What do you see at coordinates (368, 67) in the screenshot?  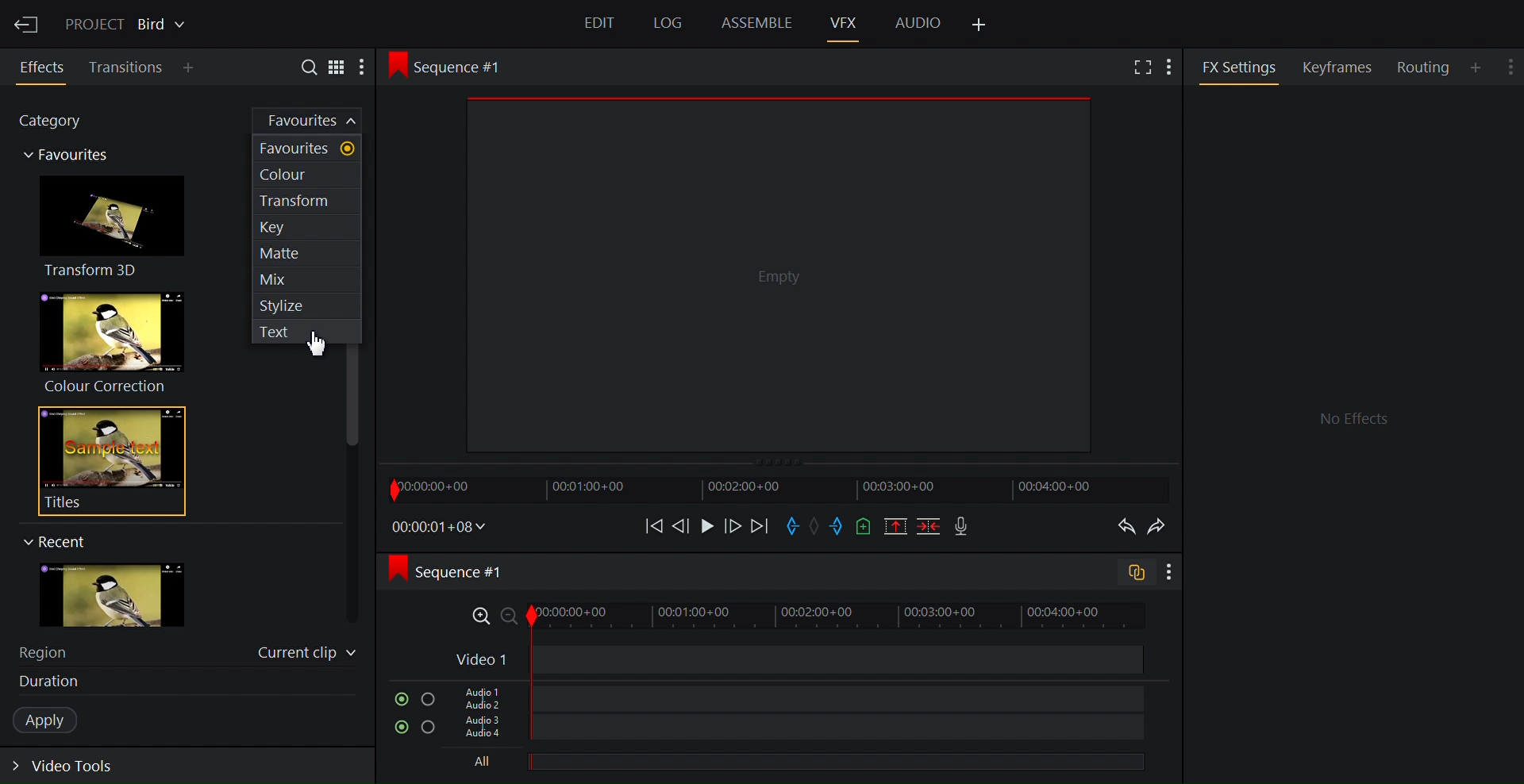 I see `More` at bounding box center [368, 67].